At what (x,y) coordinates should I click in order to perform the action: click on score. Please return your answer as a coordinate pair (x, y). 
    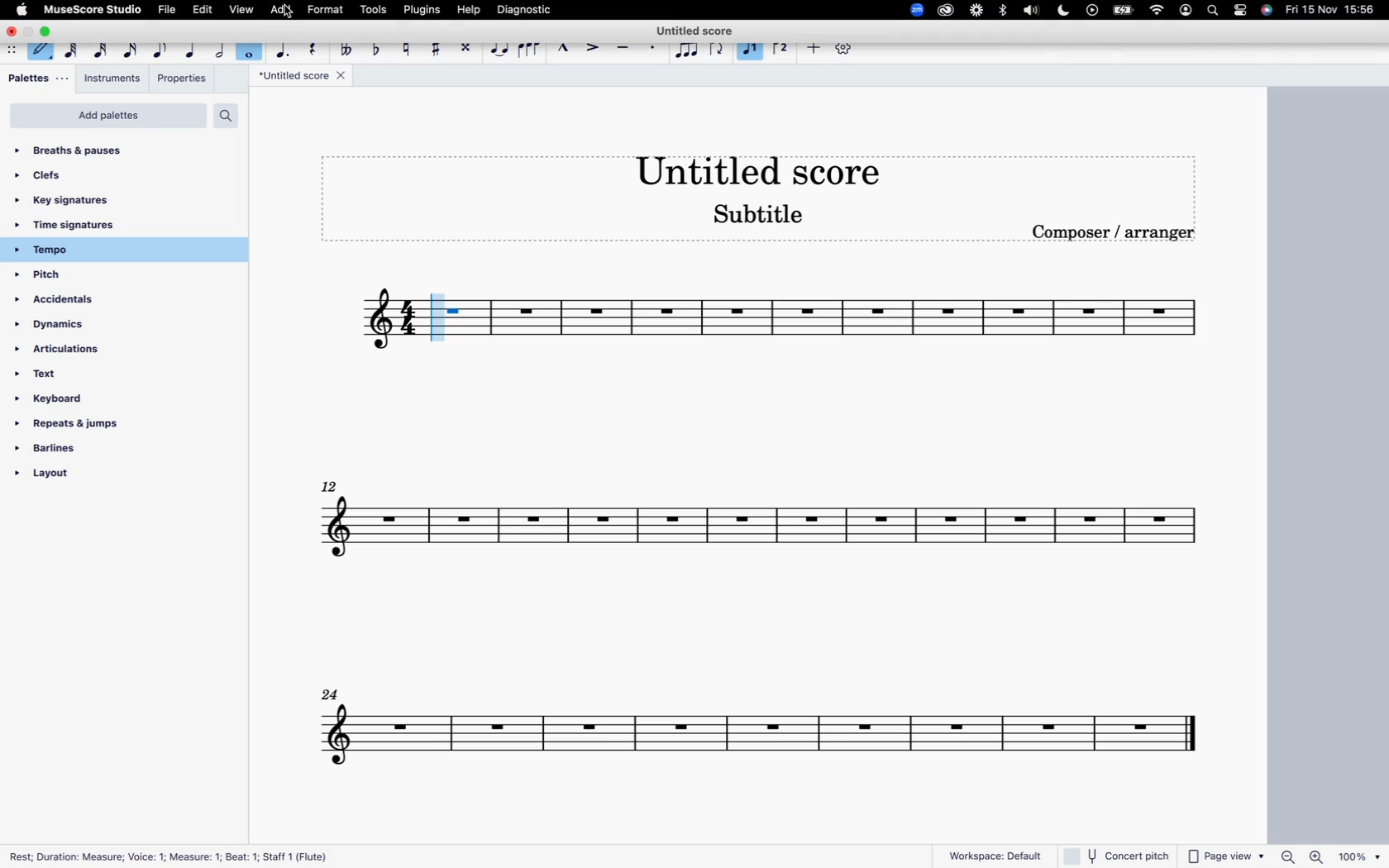
    Looking at the image, I should click on (855, 324).